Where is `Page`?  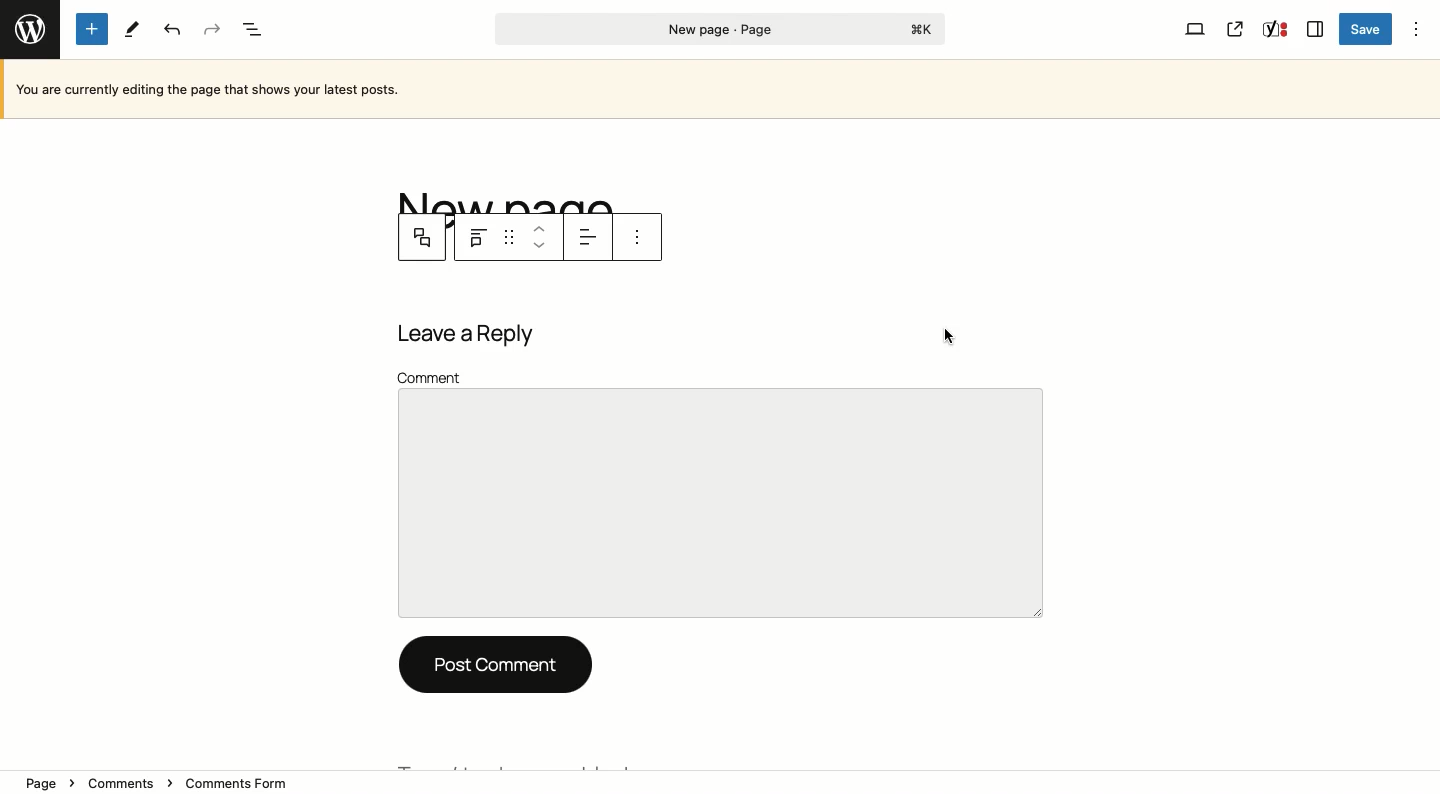
Page is located at coordinates (719, 28).